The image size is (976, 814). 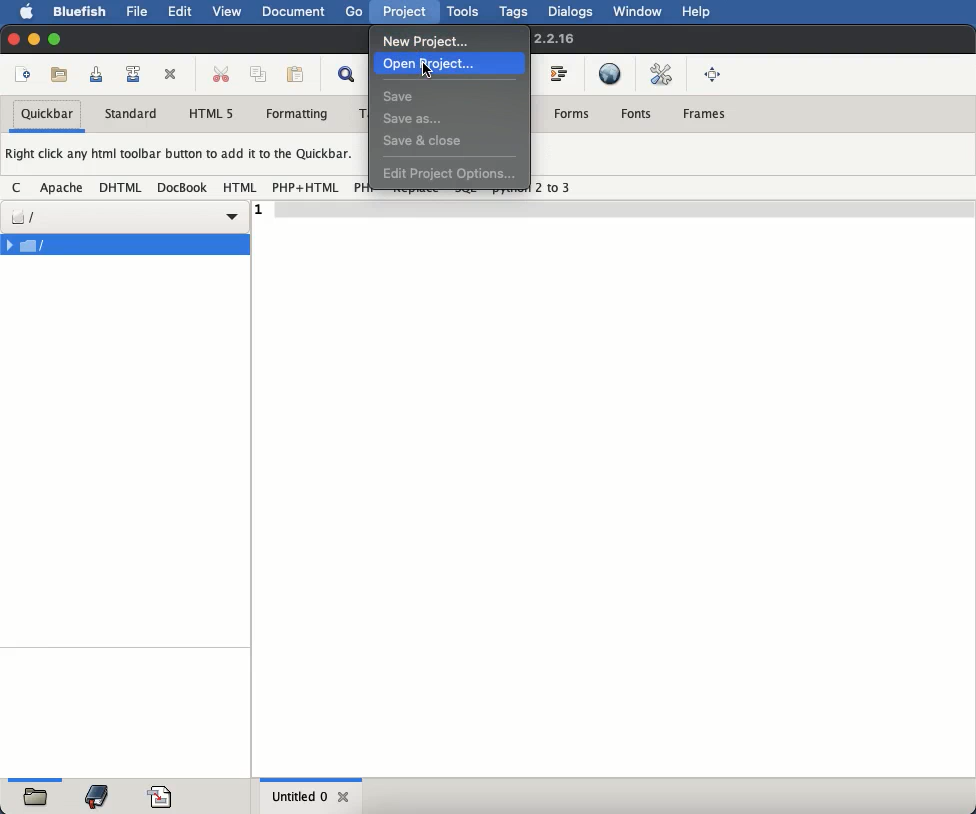 I want to click on file, so click(x=140, y=12).